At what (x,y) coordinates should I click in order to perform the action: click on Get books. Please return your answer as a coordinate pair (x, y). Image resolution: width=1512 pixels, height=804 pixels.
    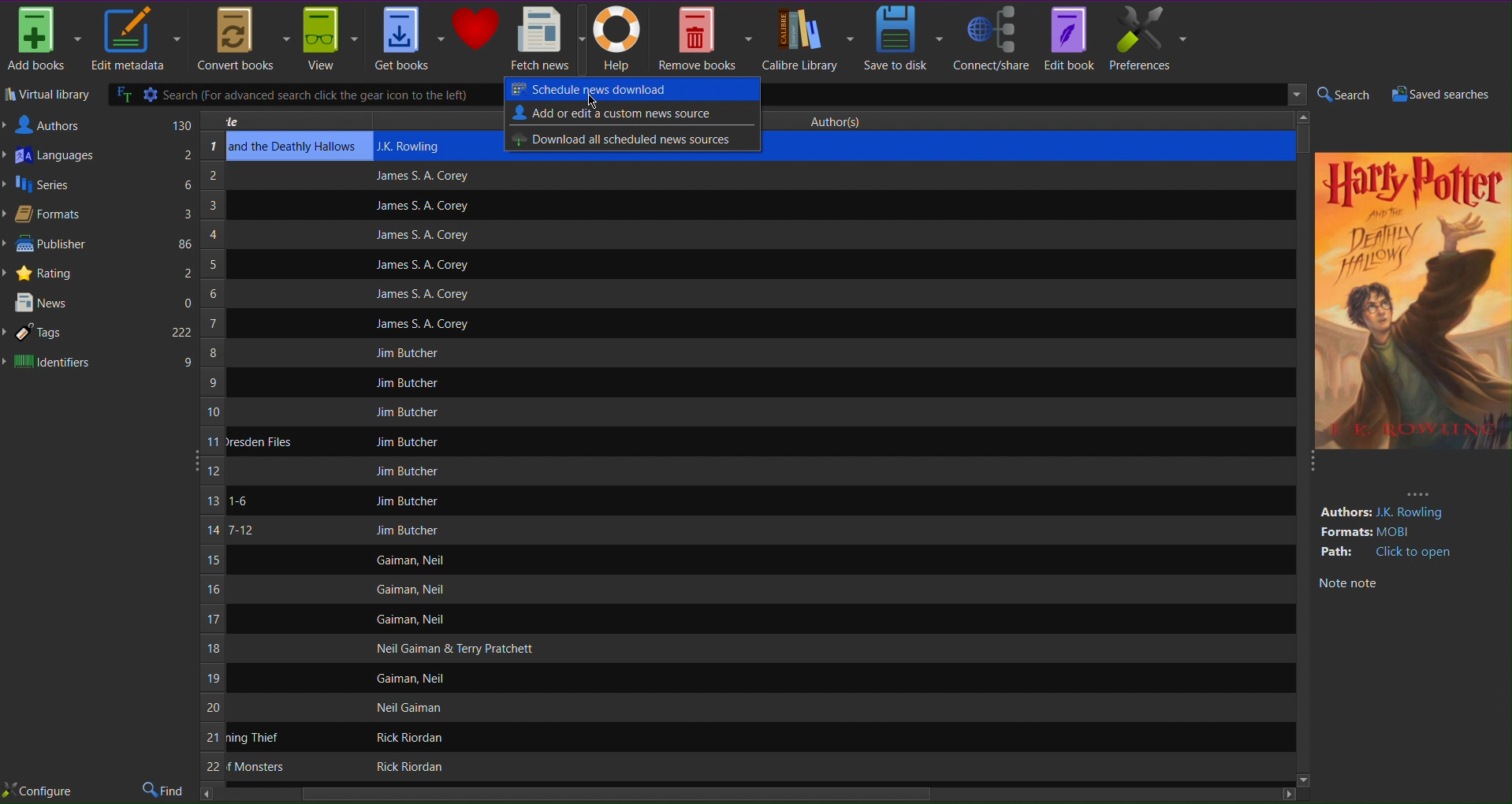
    Looking at the image, I should click on (409, 39).